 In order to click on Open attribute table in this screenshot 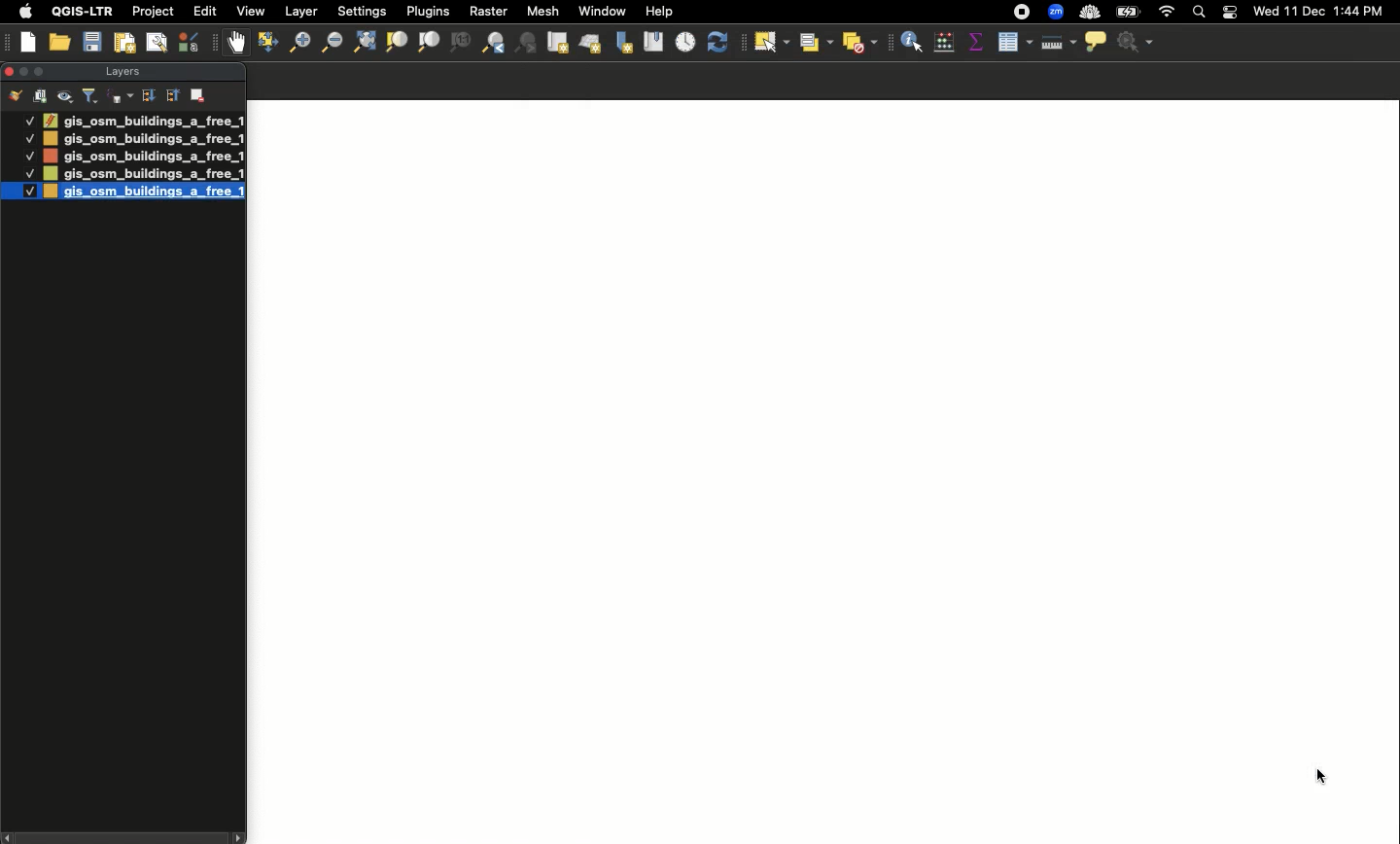, I will do `click(1013, 43)`.